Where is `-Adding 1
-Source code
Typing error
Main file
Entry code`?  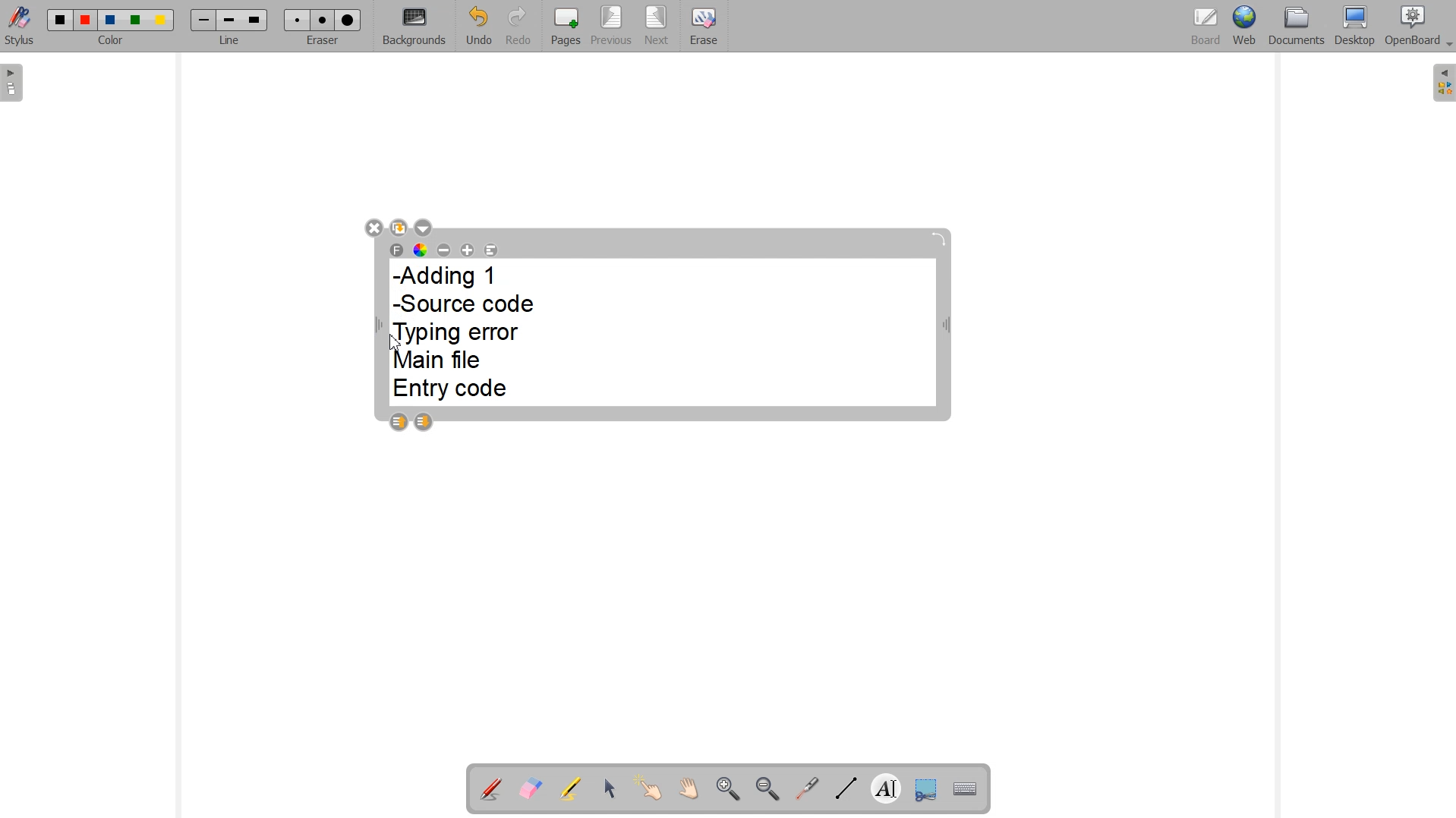 -Adding 1
-Source code
Typing error
Main file
Entry code is located at coordinates (468, 334).